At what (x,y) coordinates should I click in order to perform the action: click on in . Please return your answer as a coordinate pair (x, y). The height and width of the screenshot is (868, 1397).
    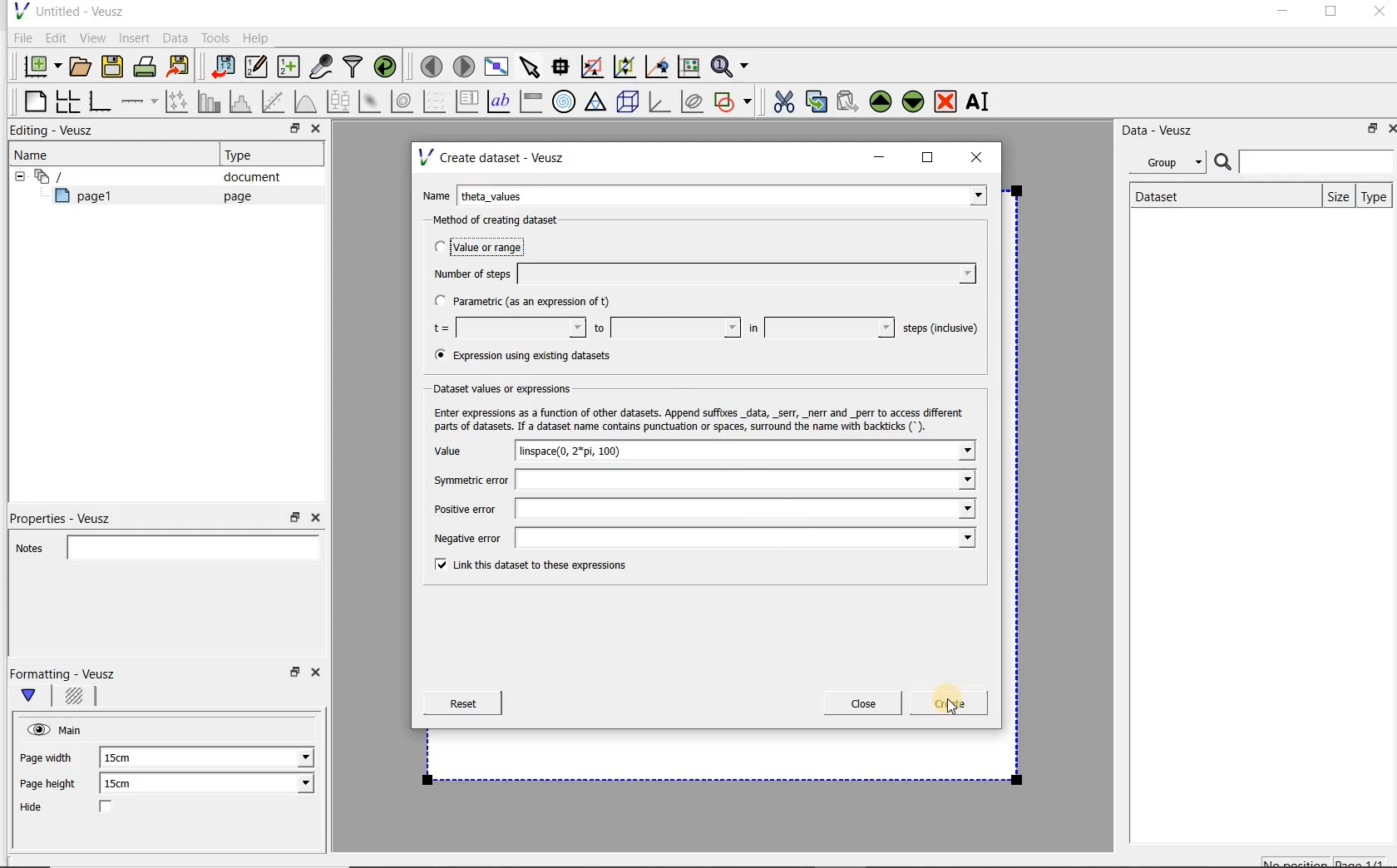
    Looking at the image, I should click on (819, 328).